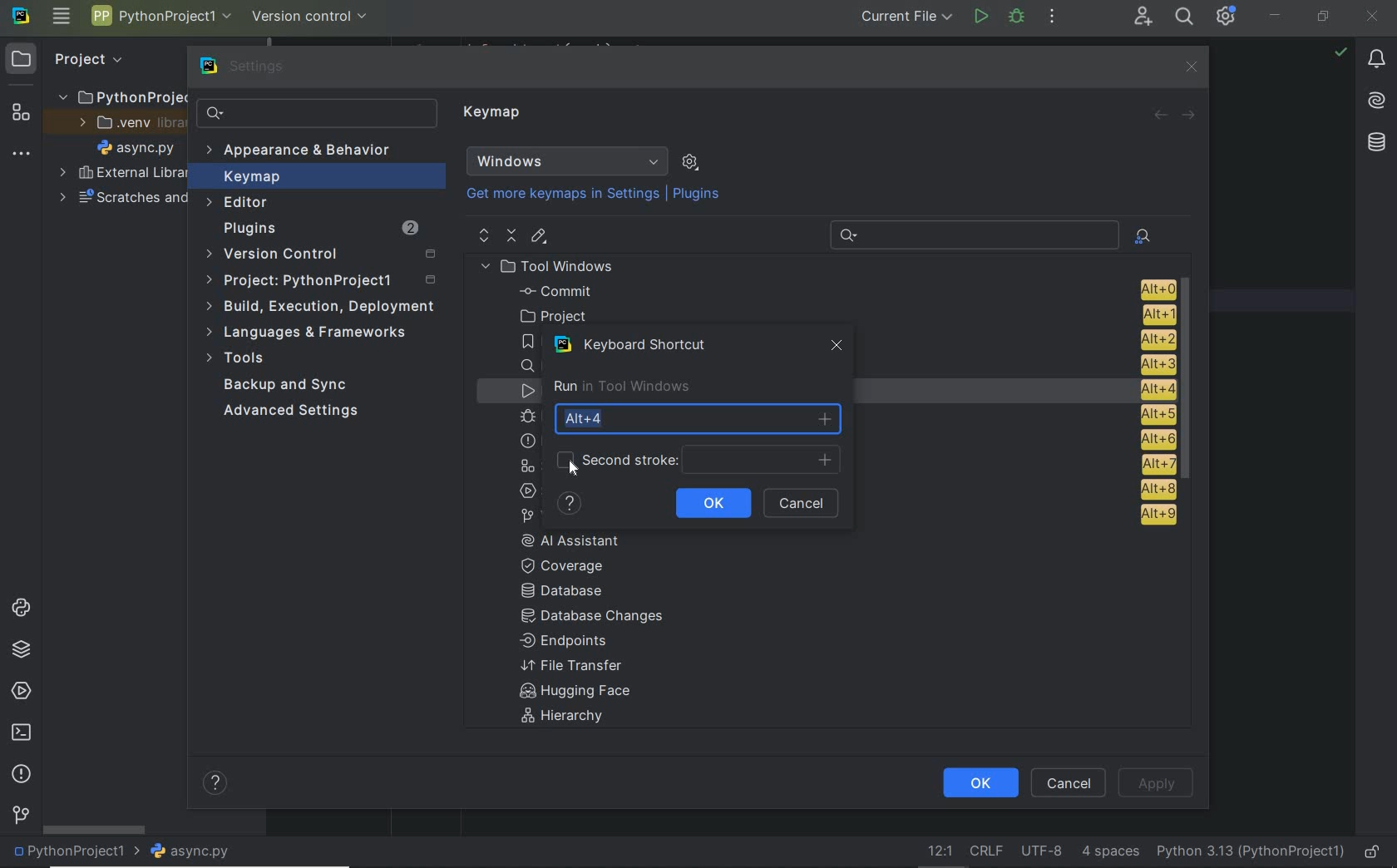 The image size is (1397, 868). What do you see at coordinates (1158, 464) in the screenshot?
I see `alt + 7` at bounding box center [1158, 464].